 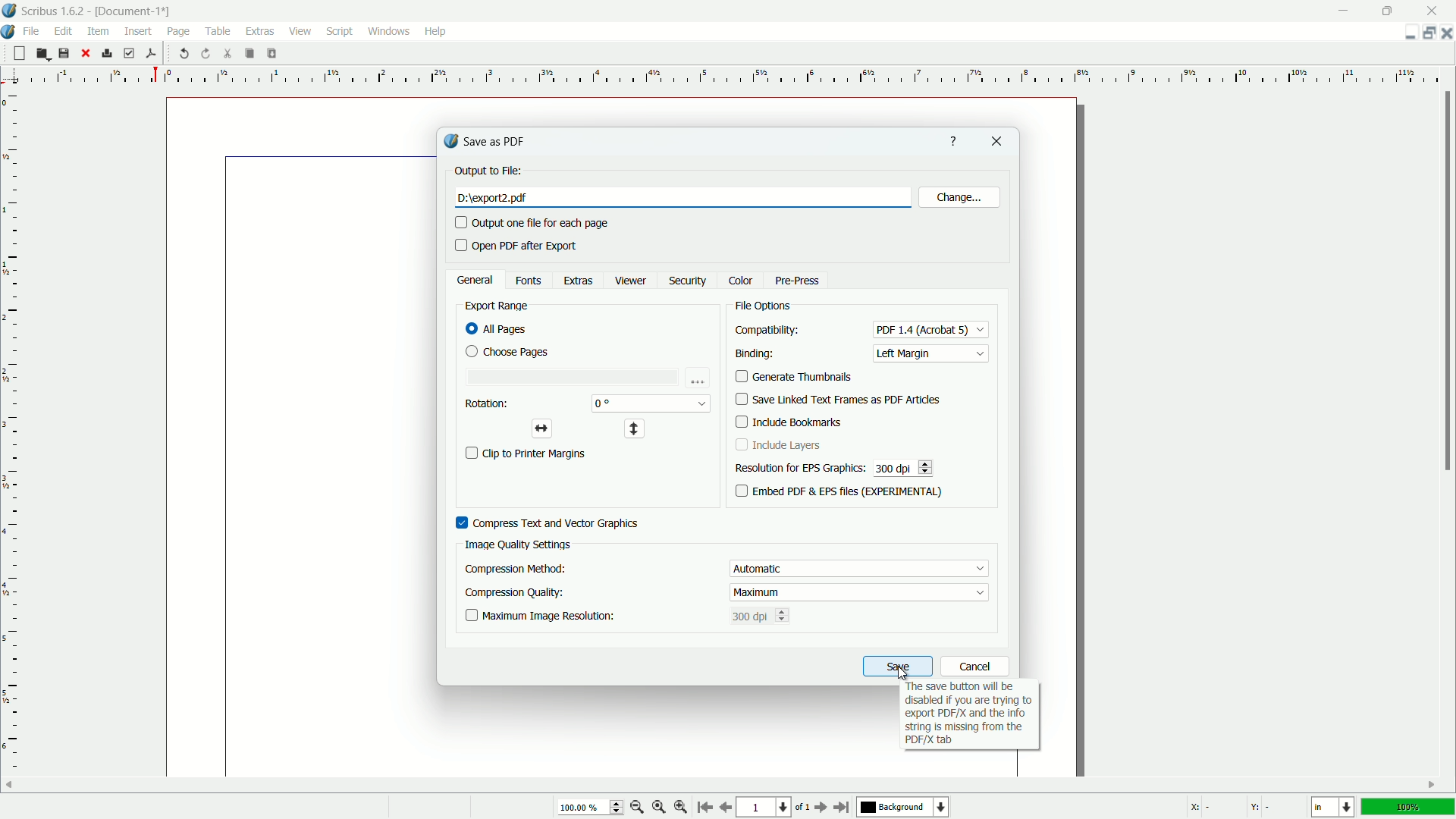 What do you see at coordinates (1410, 808) in the screenshot?
I see `100%` at bounding box center [1410, 808].